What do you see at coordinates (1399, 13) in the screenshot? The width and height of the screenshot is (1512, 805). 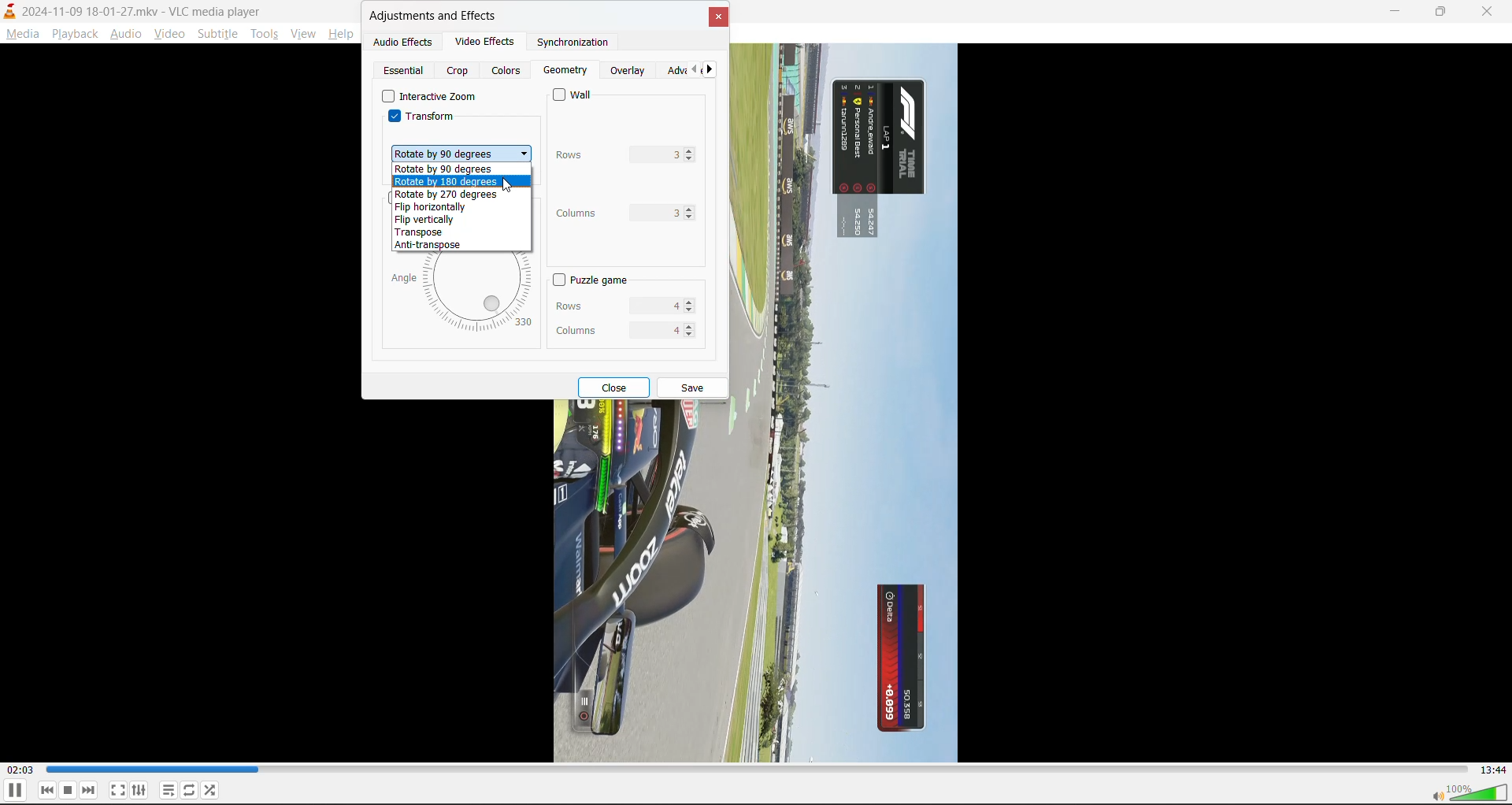 I see `minimize` at bounding box center [1399, 13].